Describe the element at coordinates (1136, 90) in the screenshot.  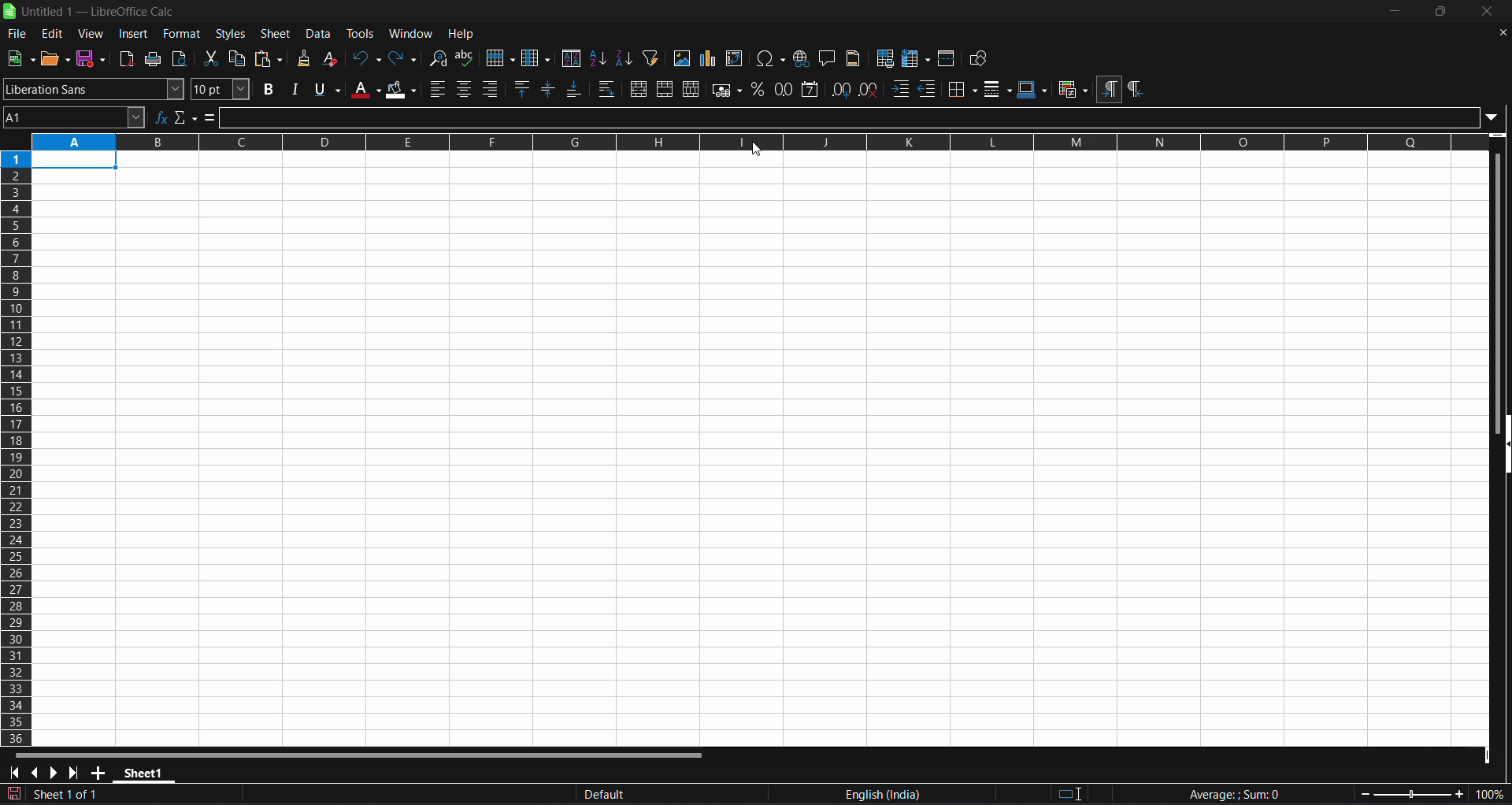
I see `right to left` at that location.